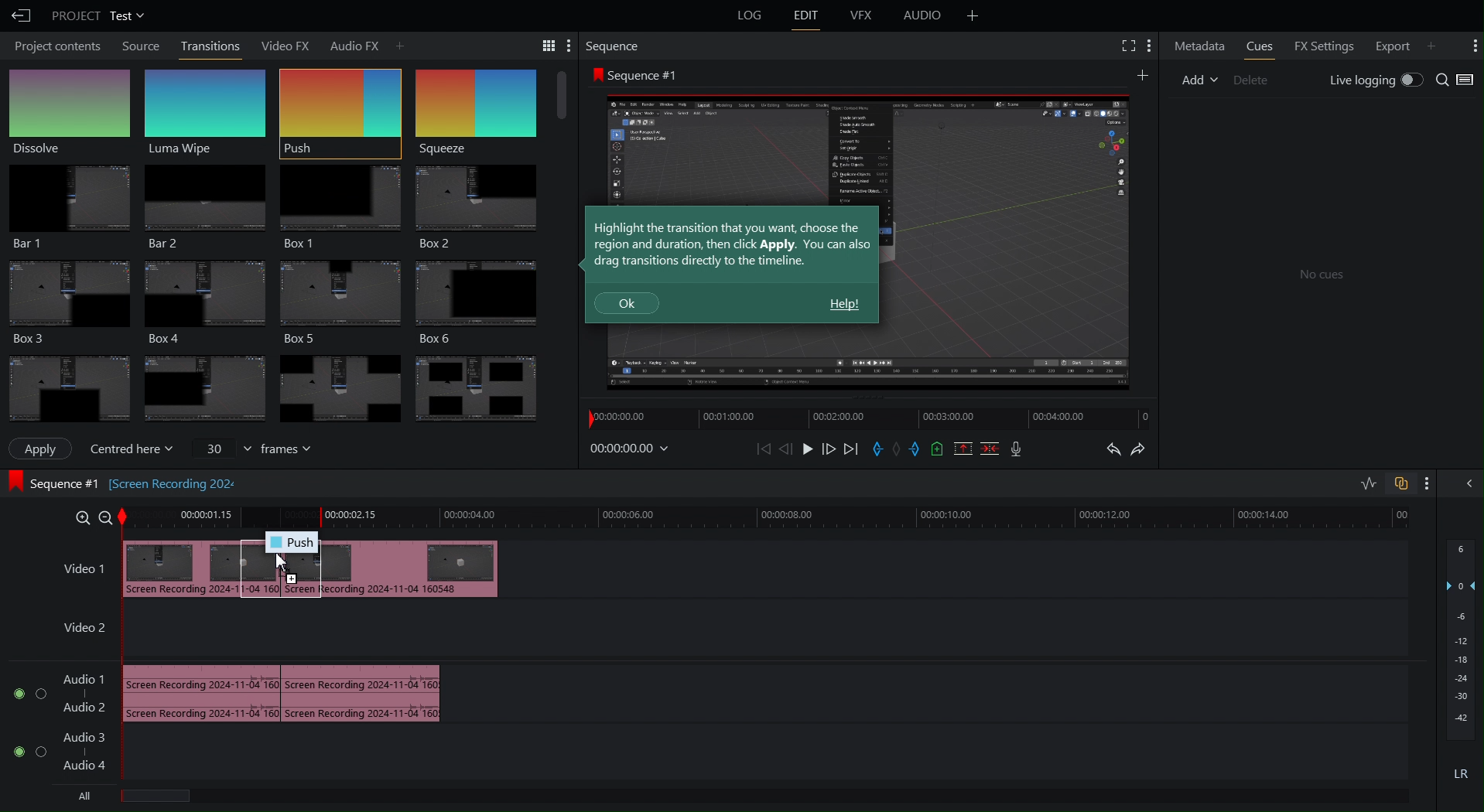 Image resolution: width=1484 pixels, height=812 pixels. Describe the element at coordinates (478, 209) in the screenshot. I see `Box 2` at that location.